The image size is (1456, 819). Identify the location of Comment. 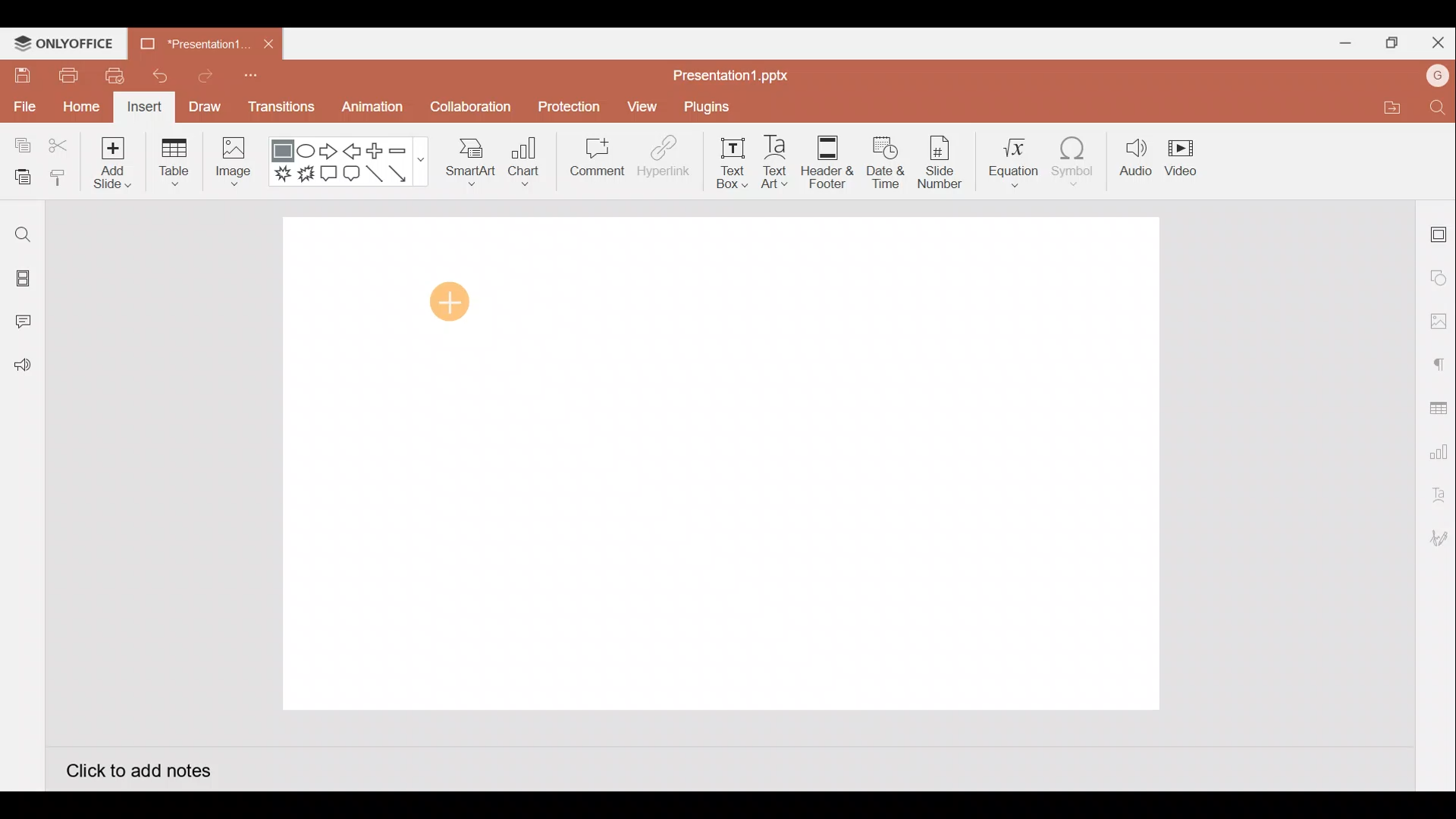
(591, 160).